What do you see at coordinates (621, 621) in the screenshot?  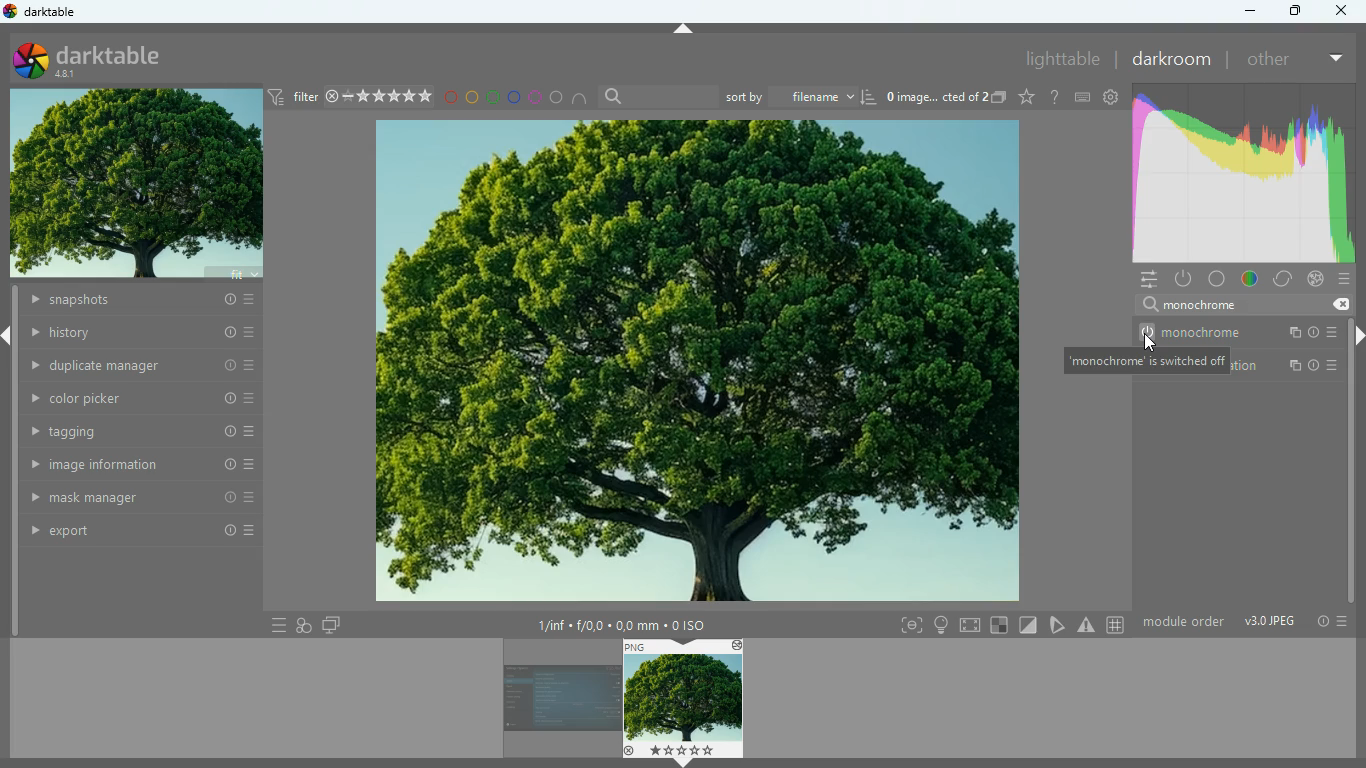 I see `image details` at bounding box center [621, 621].